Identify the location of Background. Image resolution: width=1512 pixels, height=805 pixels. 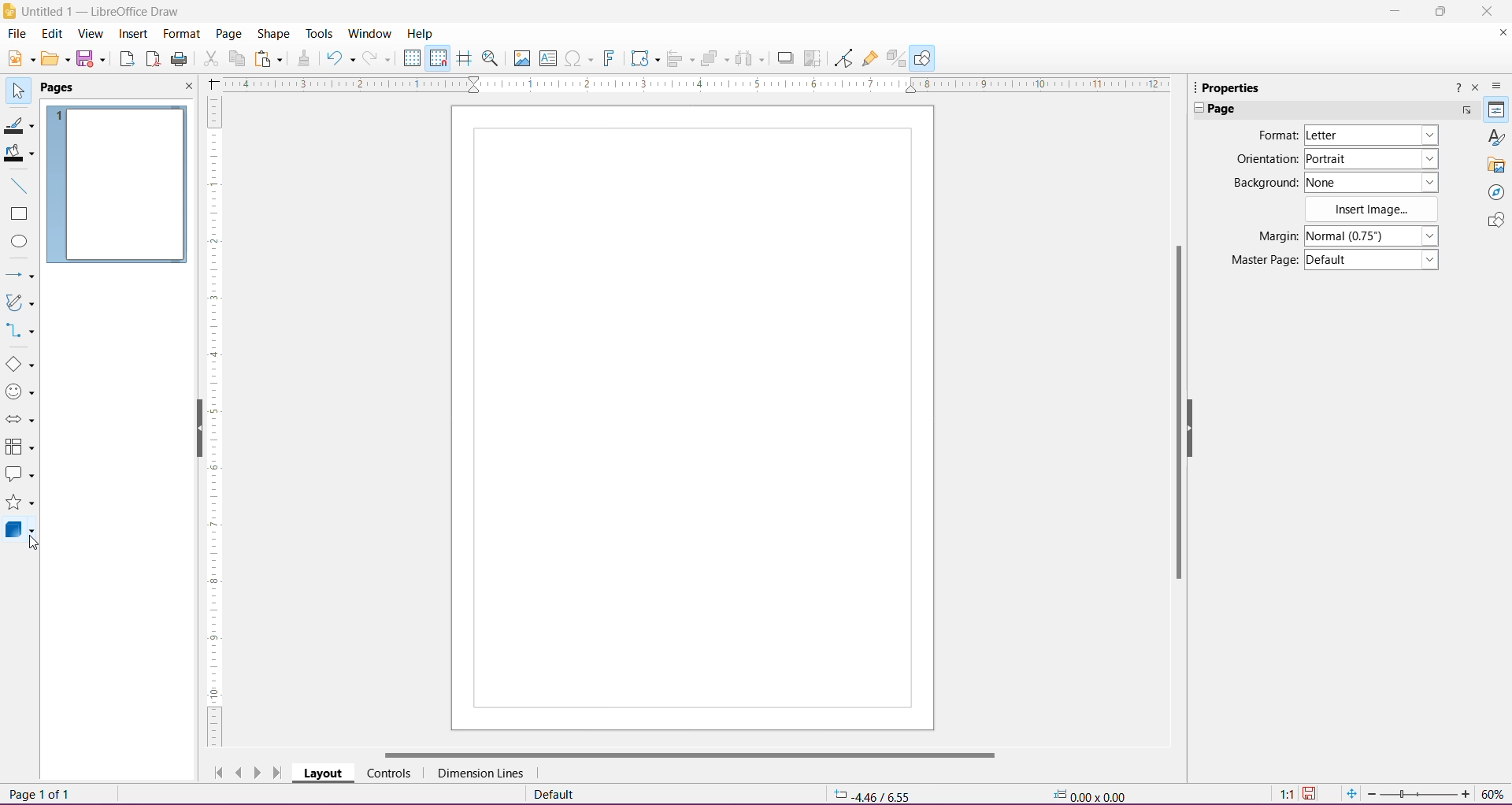
(1264, 184).